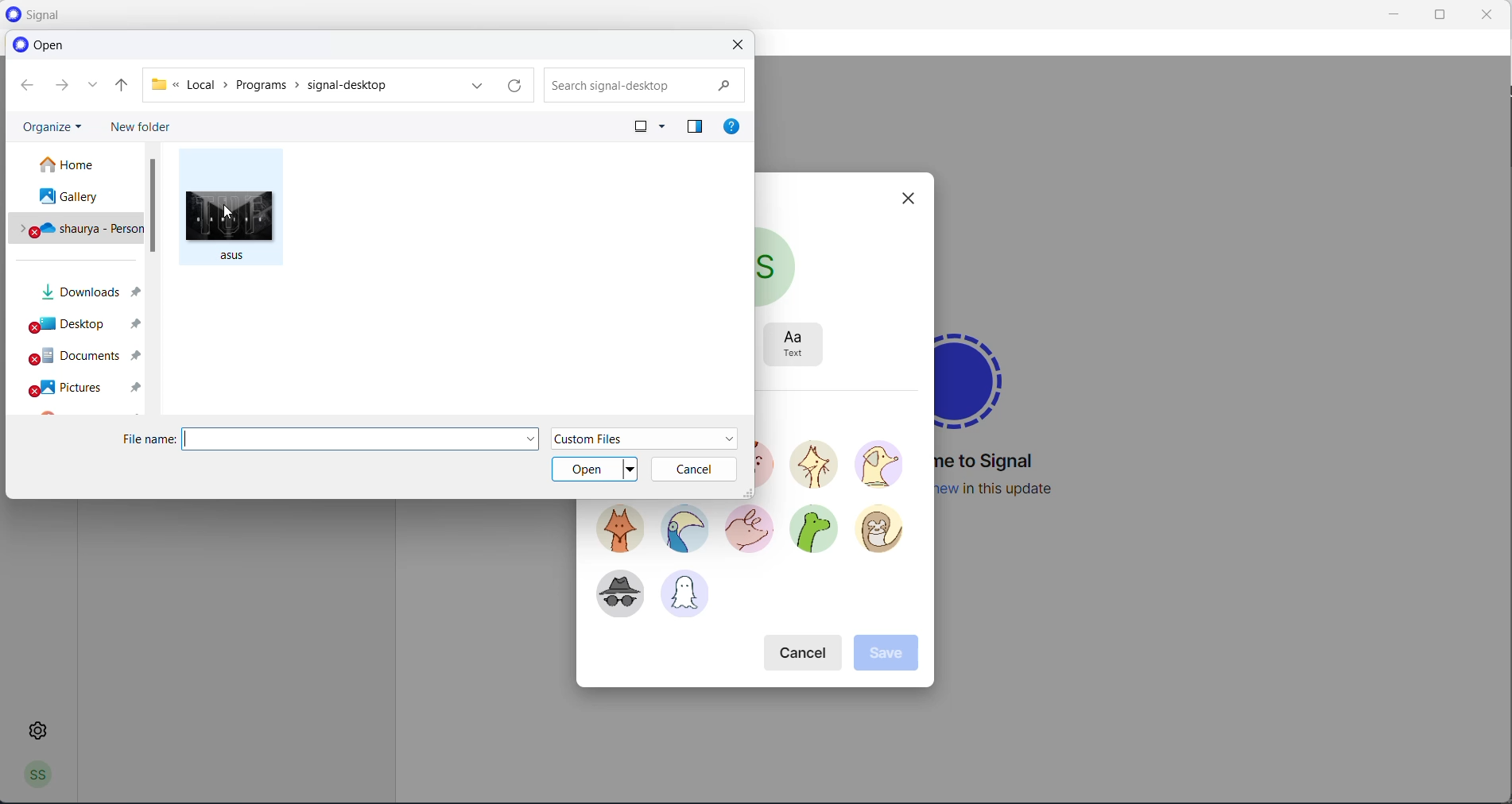 This screenshot has width=1512, height=804. What do you see at coordinates (1489, 16) in the screenshot?
I see `close` at bounding box center [1489, 16].